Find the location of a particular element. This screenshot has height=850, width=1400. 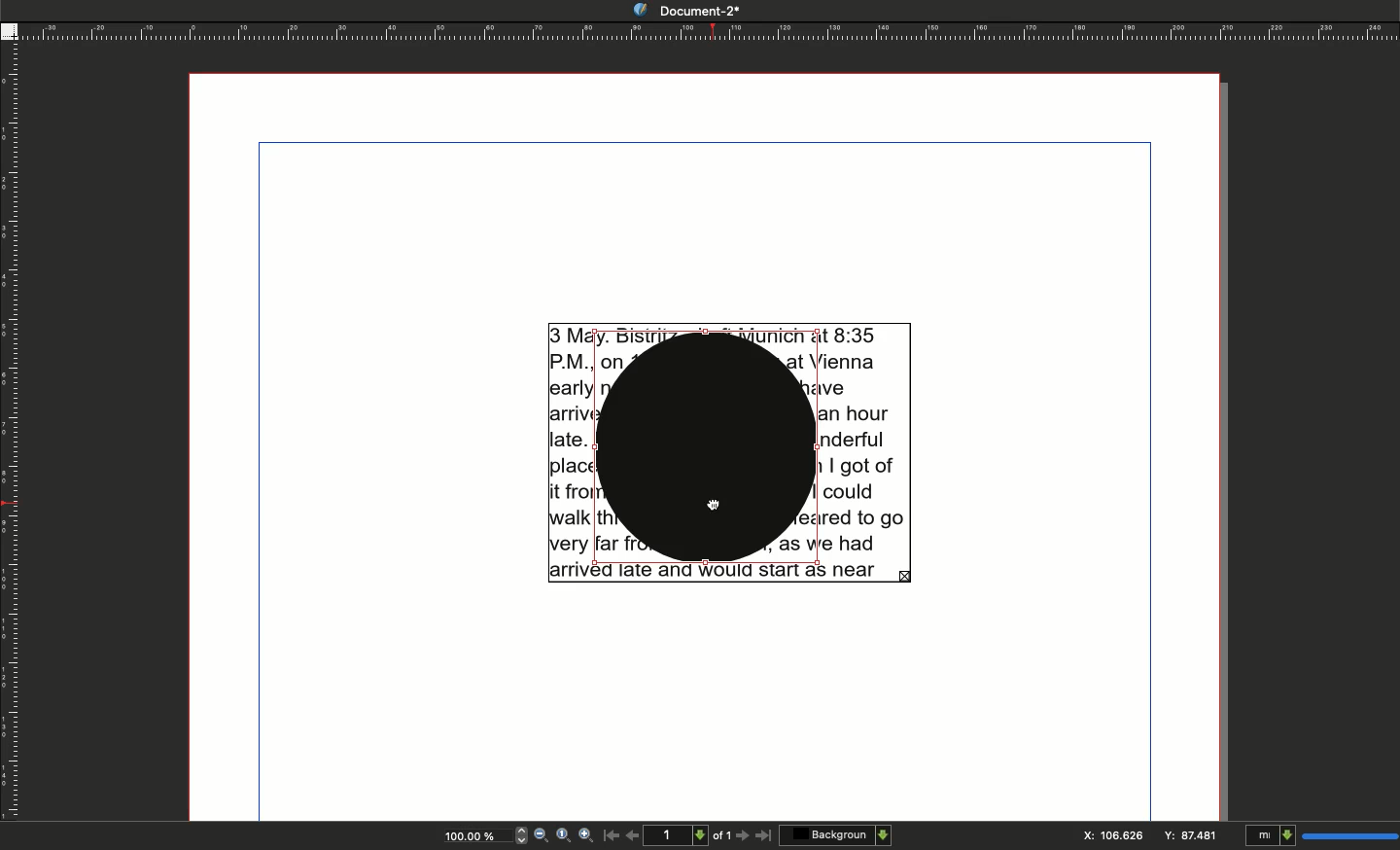

Zoom is located at coordinates (474, 834).